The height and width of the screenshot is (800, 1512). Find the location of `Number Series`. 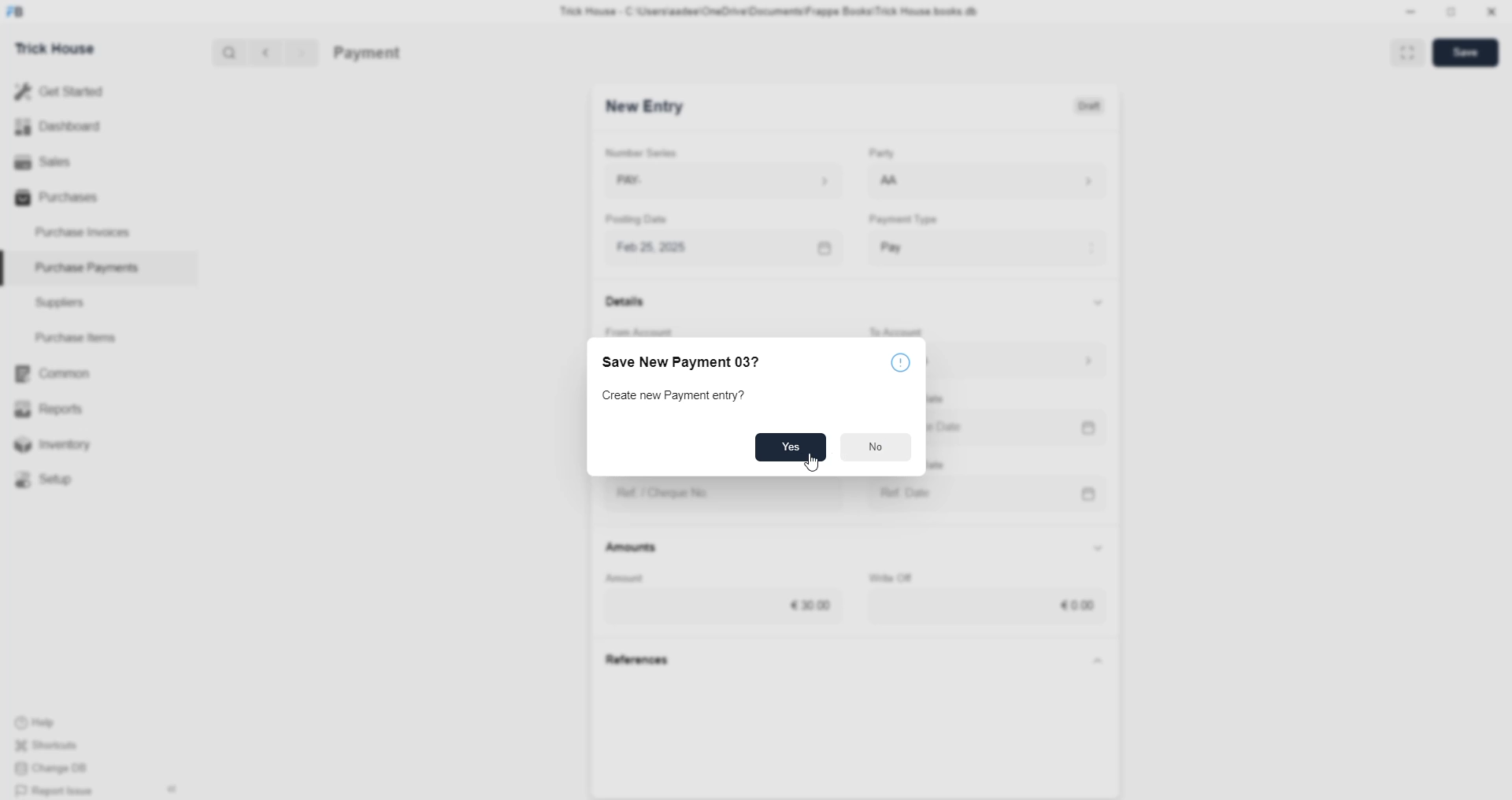

Number Series is located at coordinates (652, 152).